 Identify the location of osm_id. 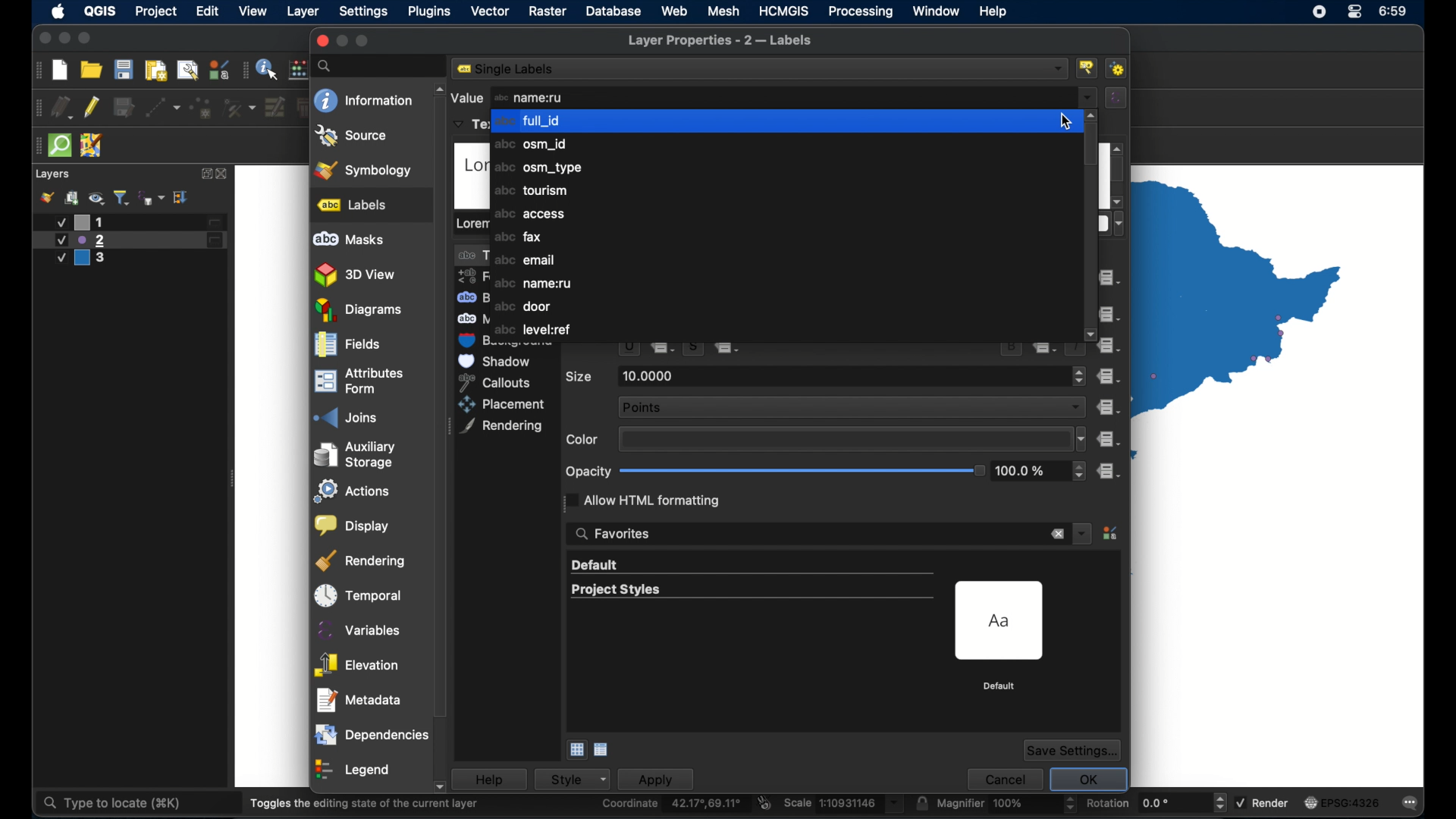
(535, 146).